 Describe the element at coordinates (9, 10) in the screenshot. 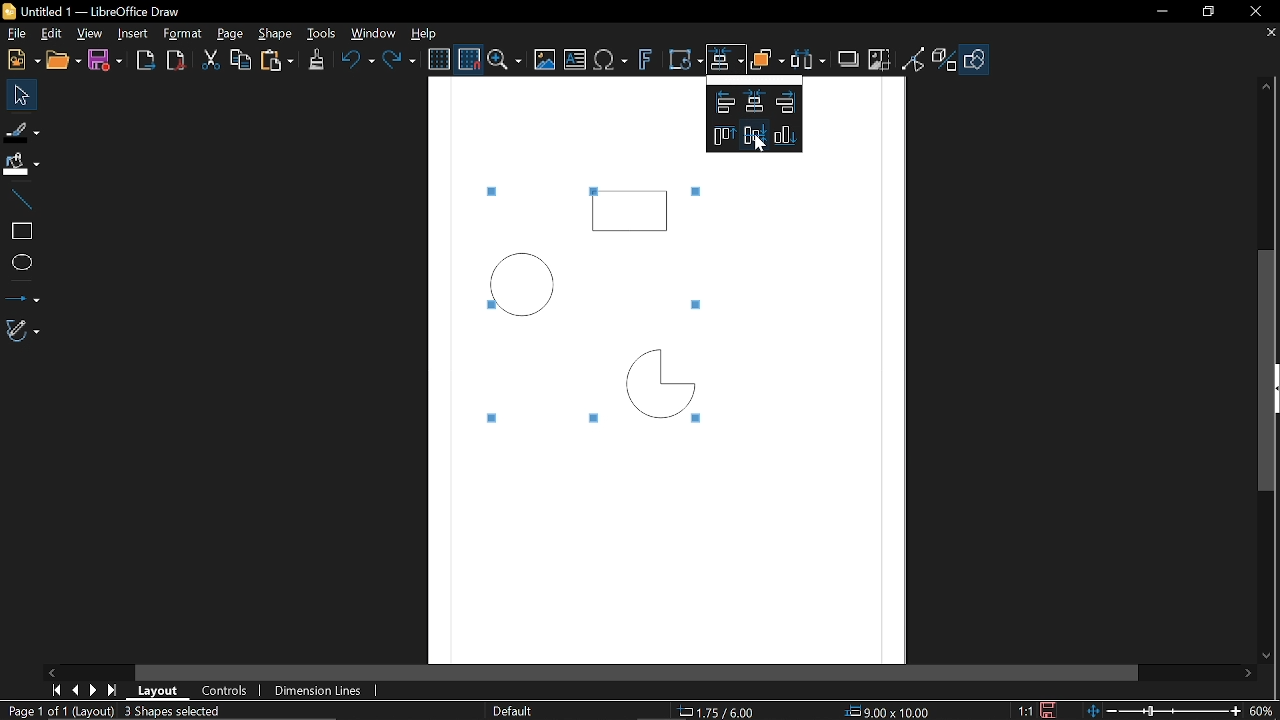

I see `Libreoffice Logo` at that location.